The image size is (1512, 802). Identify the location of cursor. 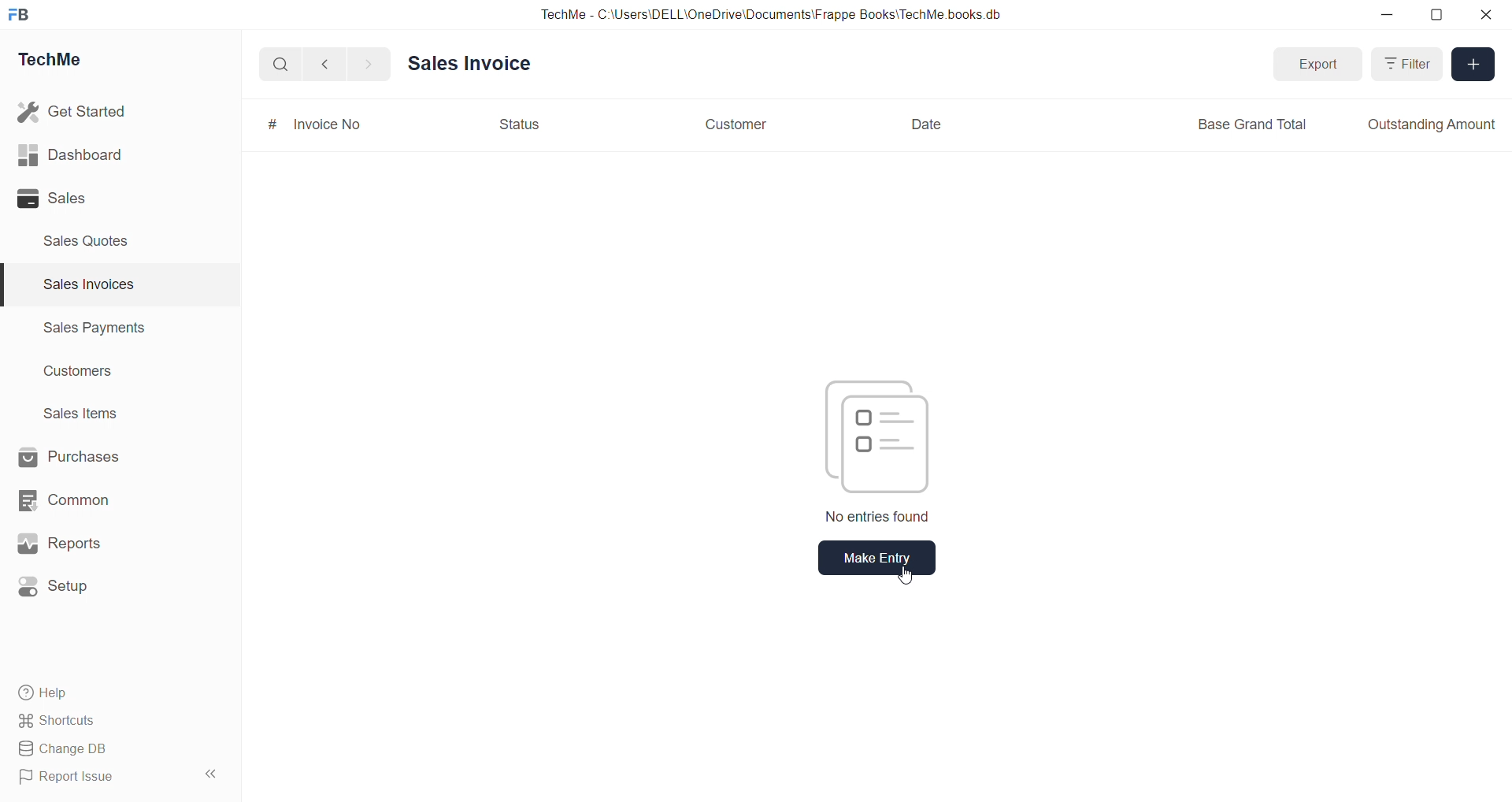
(906, 576).